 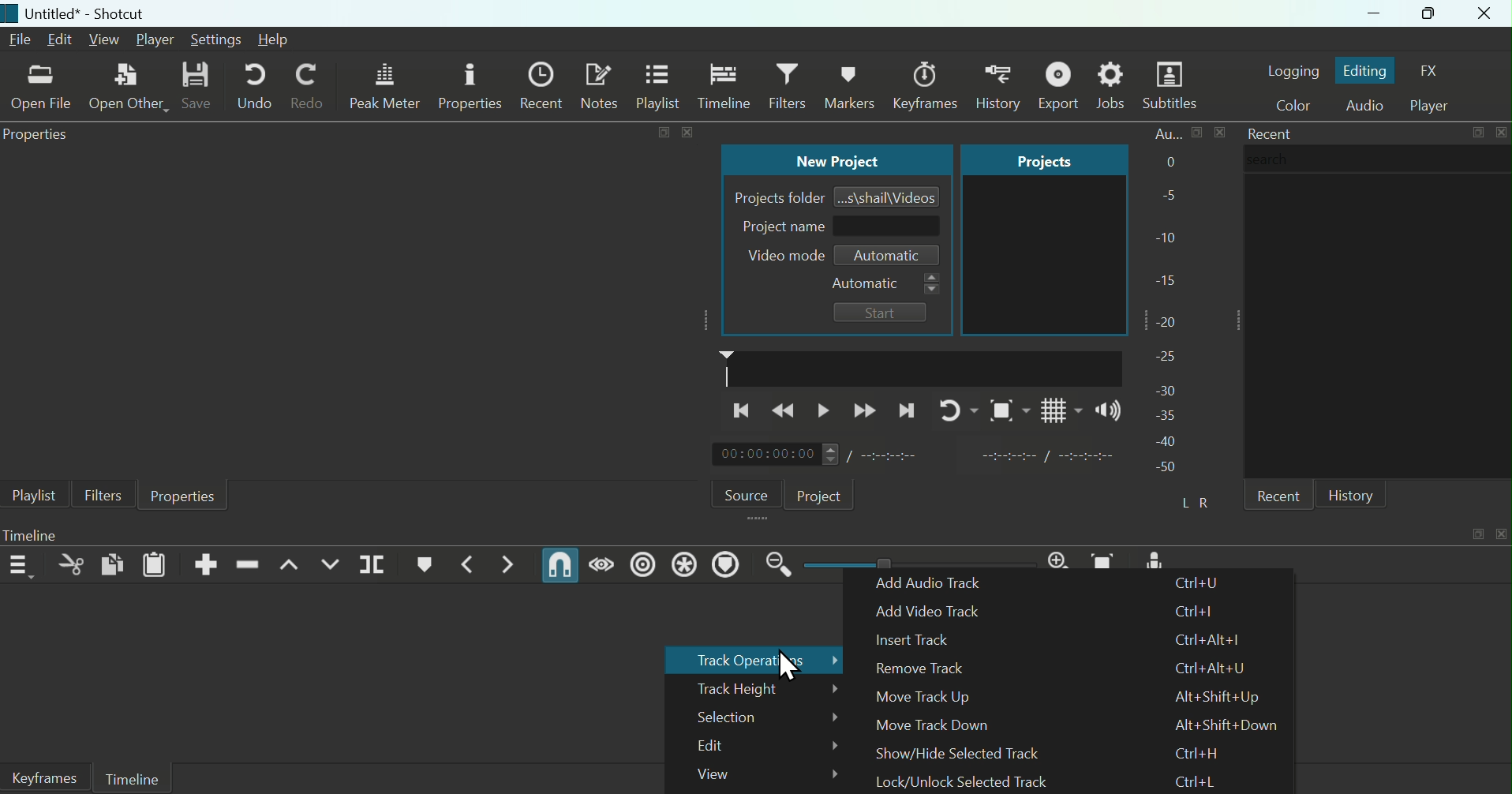 I want to click on Show/Hide Selected Track, so click(x=960, y=753).